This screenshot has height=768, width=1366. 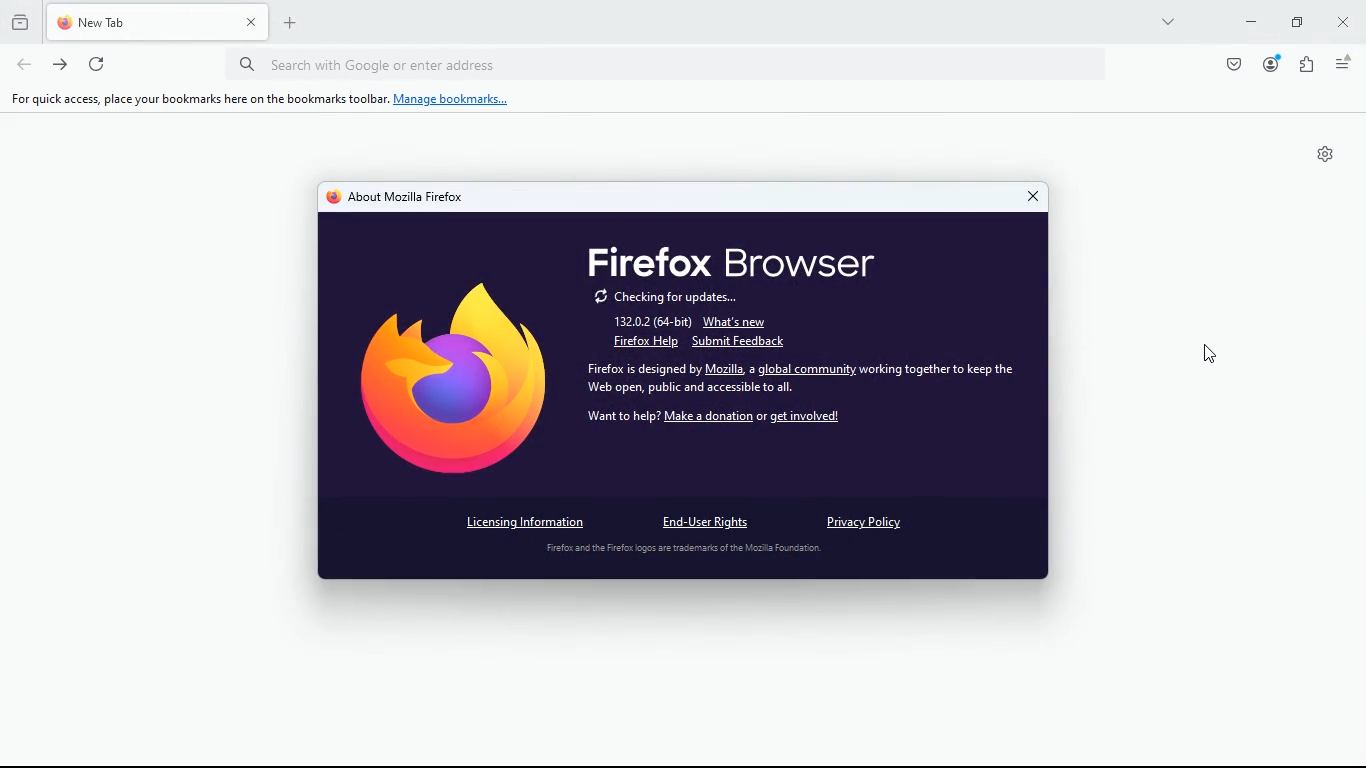 I want to click on tab, so click(x=161, y=22).